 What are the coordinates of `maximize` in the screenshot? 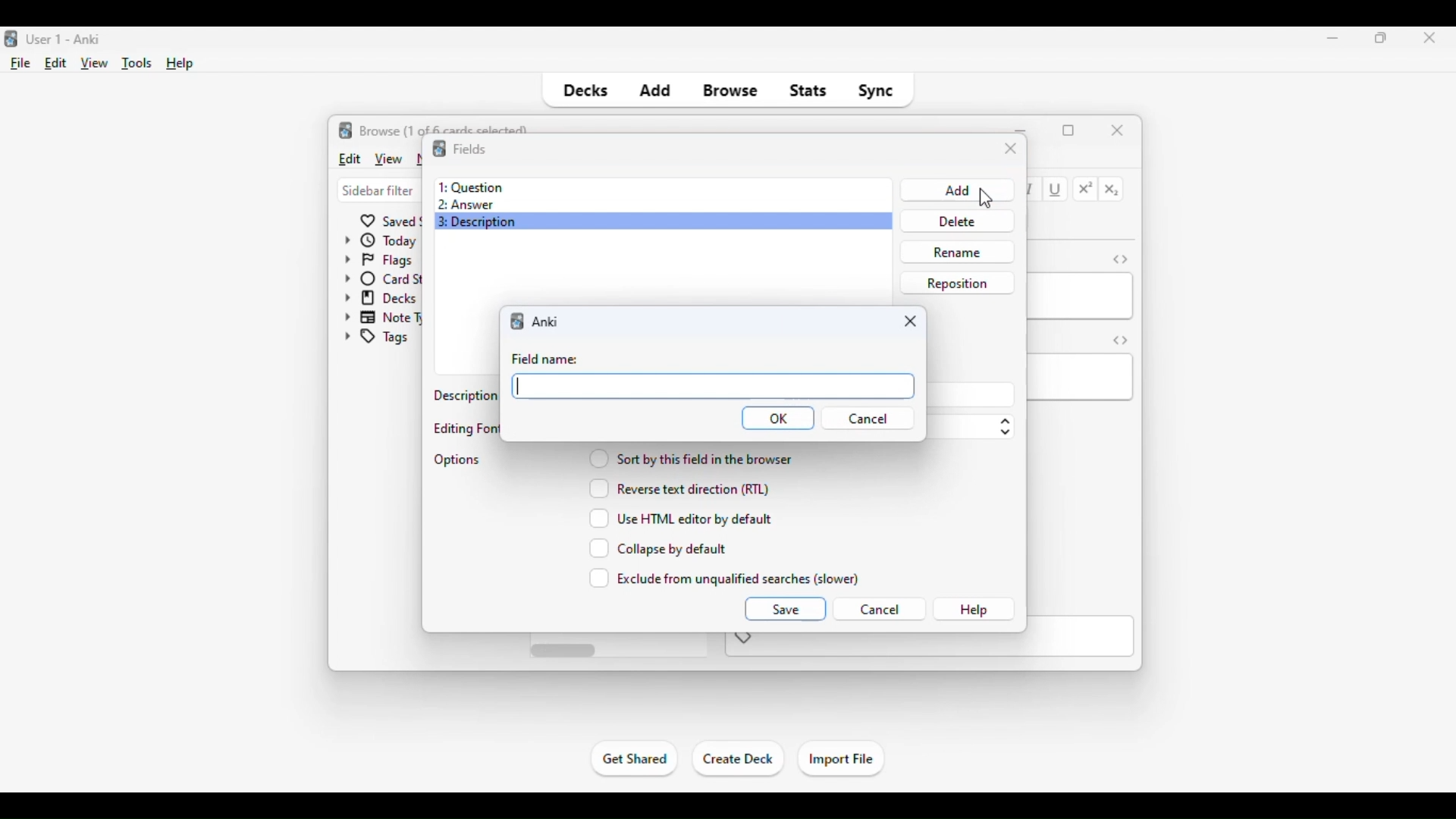 It's located at (1068, 130).